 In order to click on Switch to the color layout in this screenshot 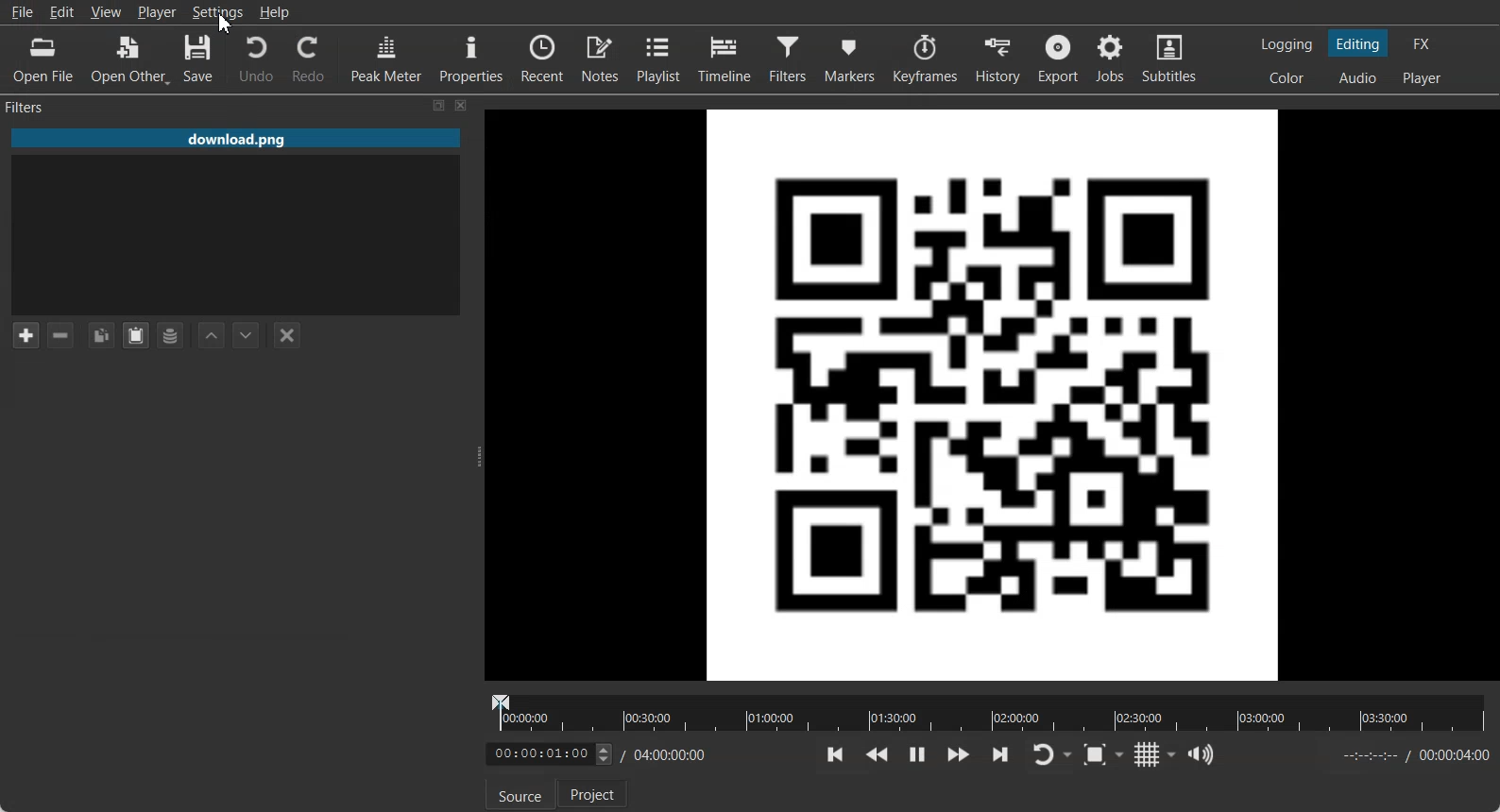, I will do `click(1288, 77)`.